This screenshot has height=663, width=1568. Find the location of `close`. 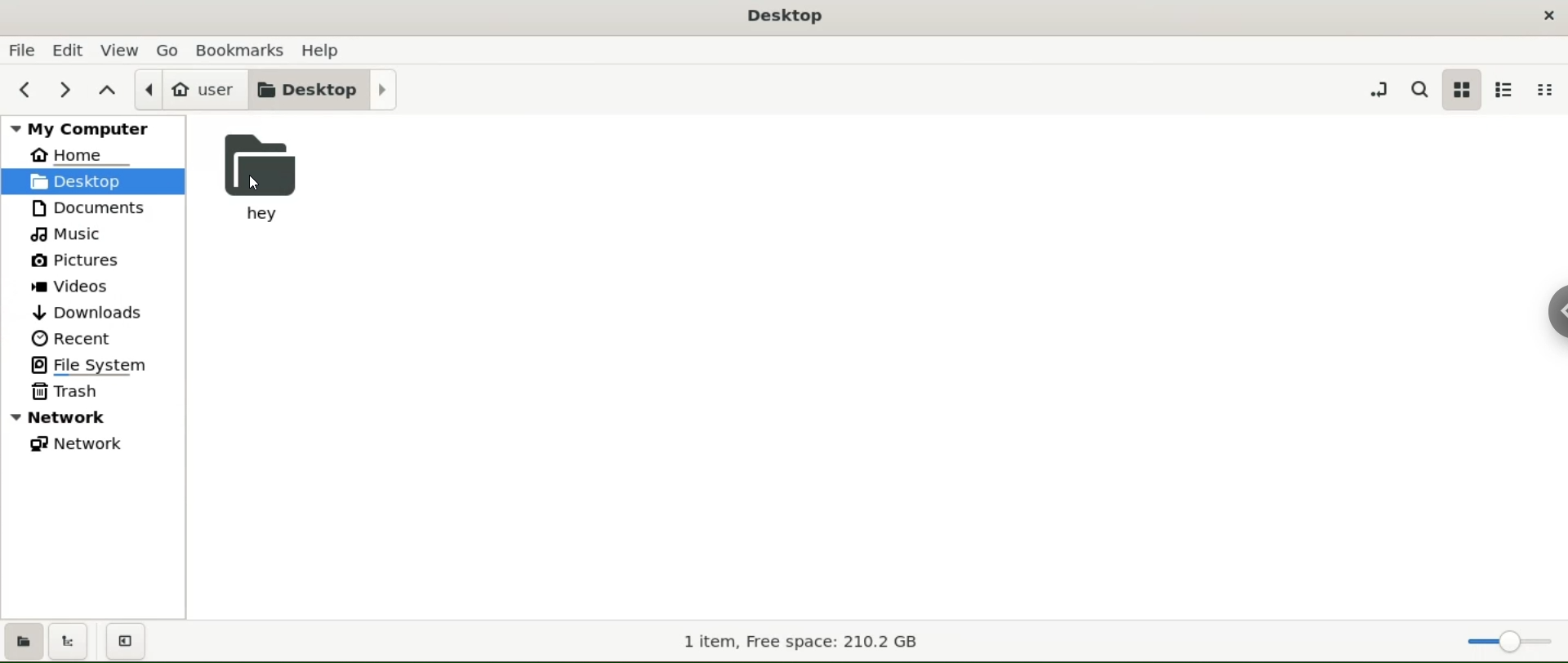

close is located at coordinates (1549, 13).